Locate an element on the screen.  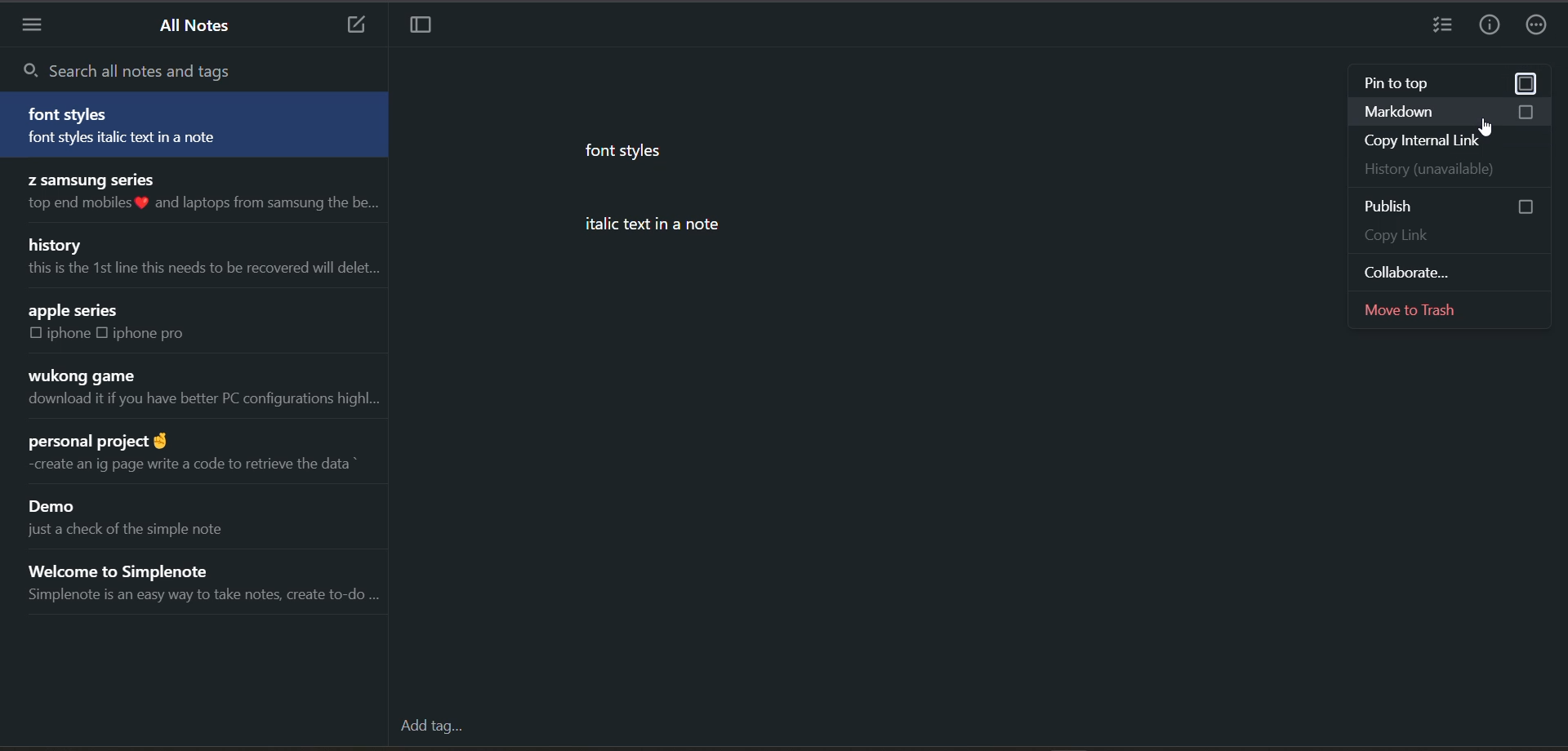
note title and preview is located at coordinates (203, 259).